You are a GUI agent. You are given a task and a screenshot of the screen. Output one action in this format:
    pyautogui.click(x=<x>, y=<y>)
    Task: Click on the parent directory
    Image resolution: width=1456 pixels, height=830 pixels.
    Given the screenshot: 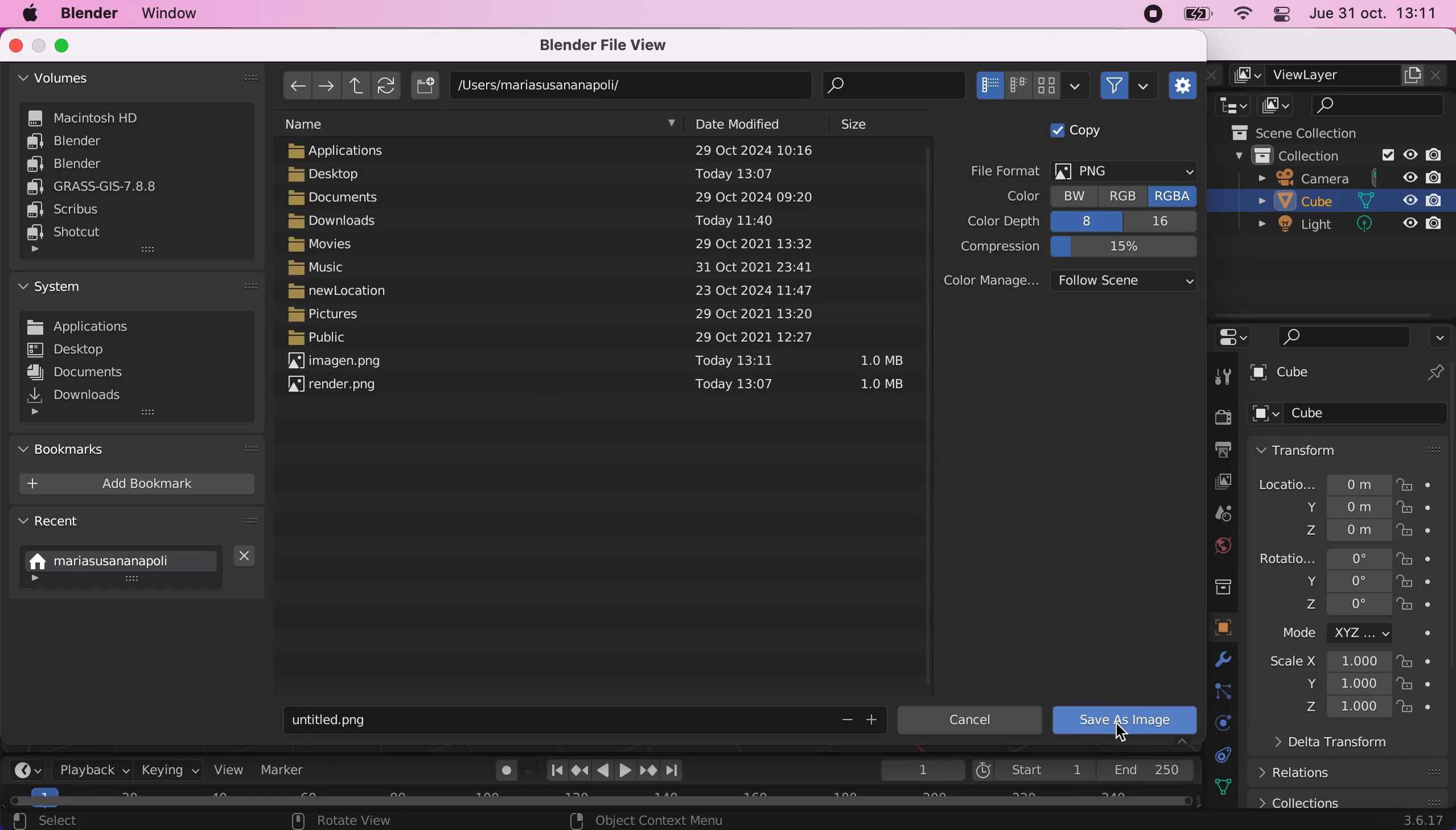 What is the action you would take?
    pyautogui.click(x=357, y=83)
    